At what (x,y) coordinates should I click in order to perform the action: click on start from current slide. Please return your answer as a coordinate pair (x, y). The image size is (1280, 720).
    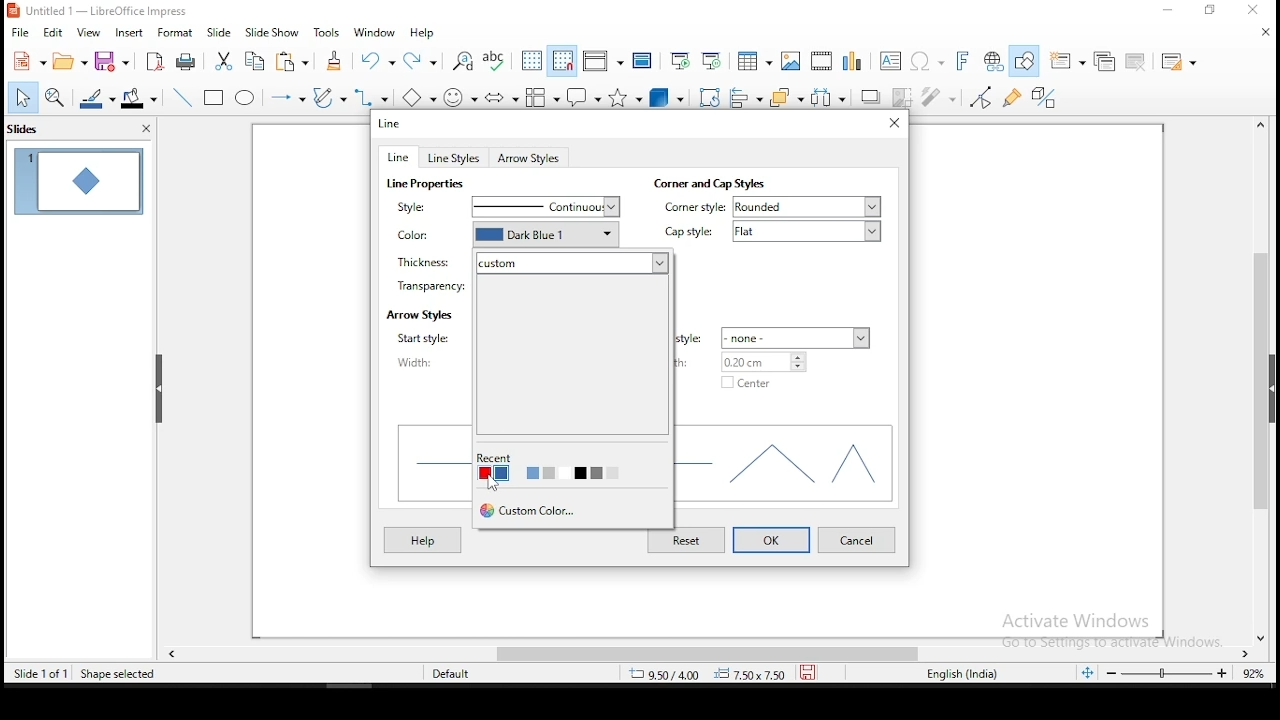
    Looking at the image, I should click on (710, 60).